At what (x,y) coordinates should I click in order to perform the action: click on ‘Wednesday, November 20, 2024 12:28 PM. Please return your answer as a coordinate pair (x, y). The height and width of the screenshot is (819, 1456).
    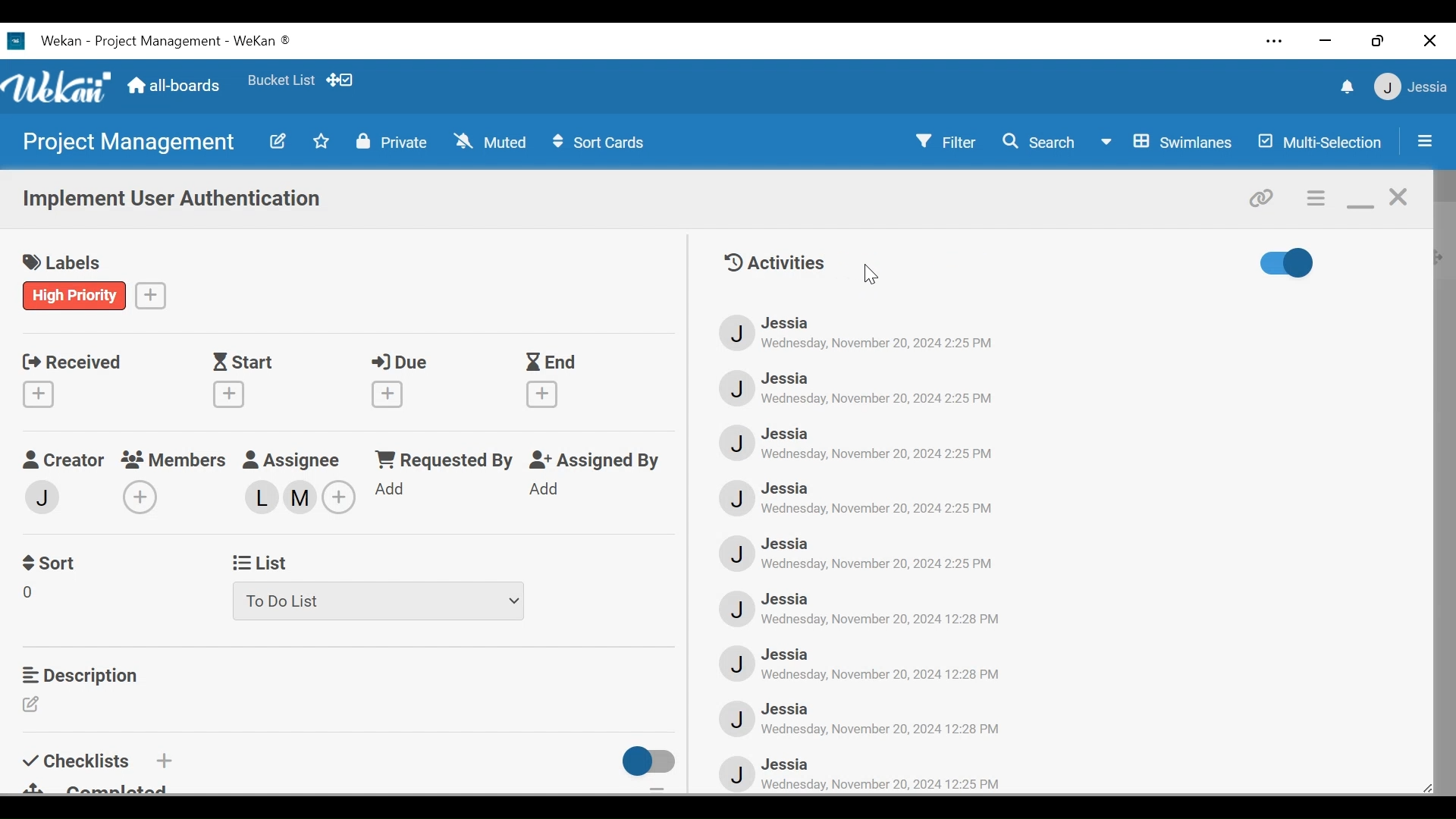
    Looking at the image, I should click on (901, 730).